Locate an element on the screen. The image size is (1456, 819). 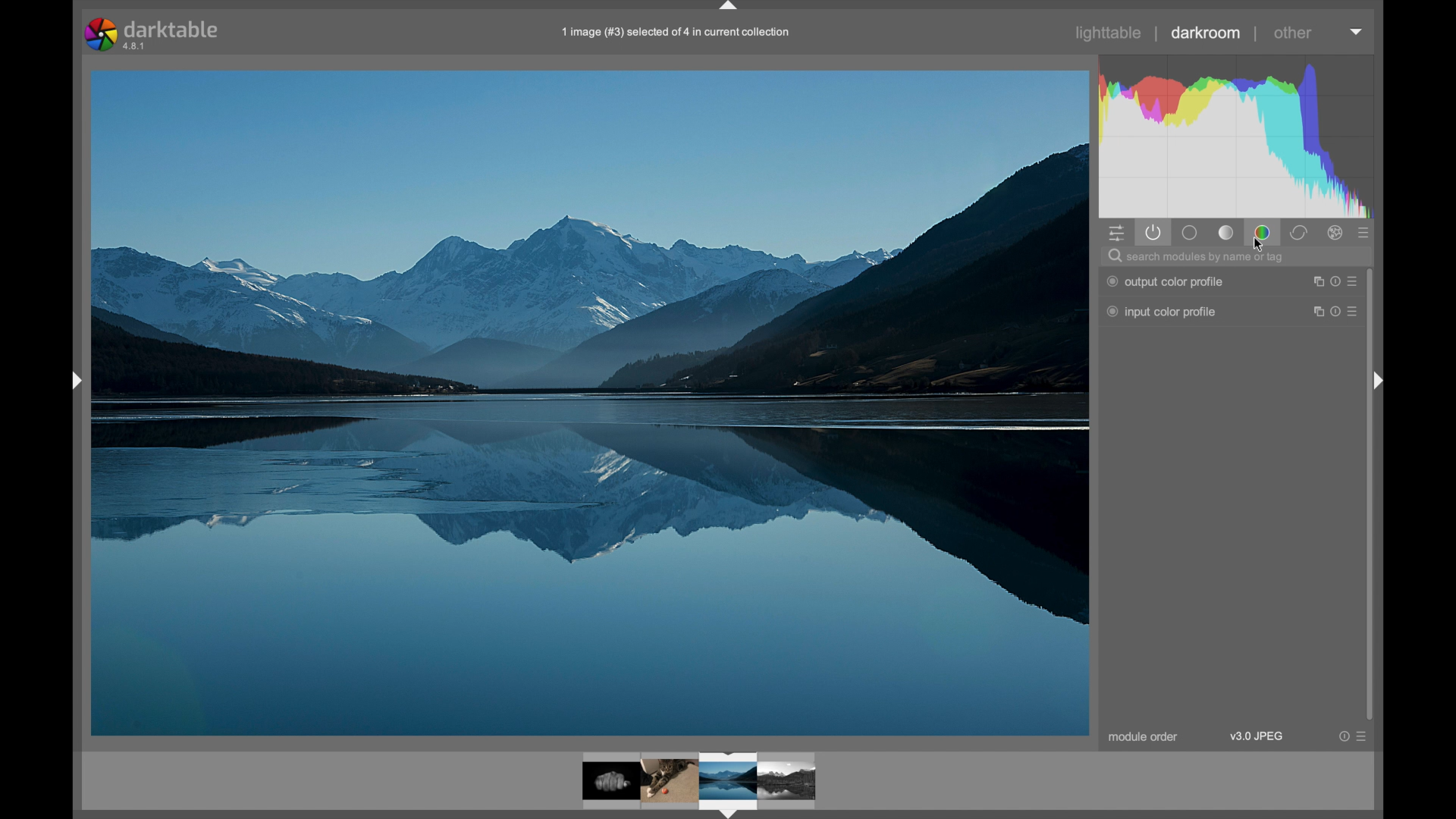
effects is located at coordinates (1336, 234).